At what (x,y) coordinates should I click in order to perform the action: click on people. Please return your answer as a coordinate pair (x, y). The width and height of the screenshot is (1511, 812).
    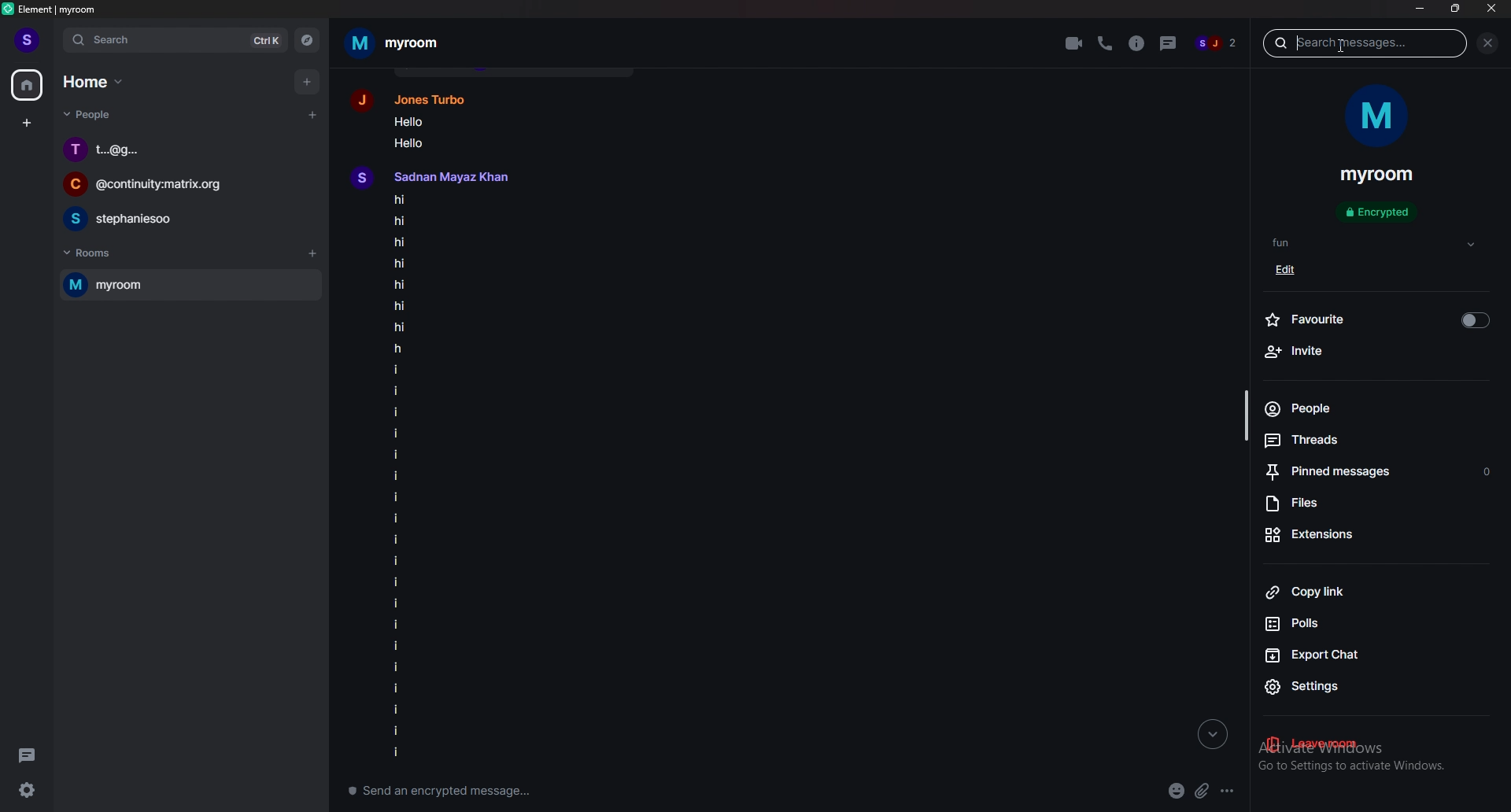
    Looking at the image, I should click on (89, 116).